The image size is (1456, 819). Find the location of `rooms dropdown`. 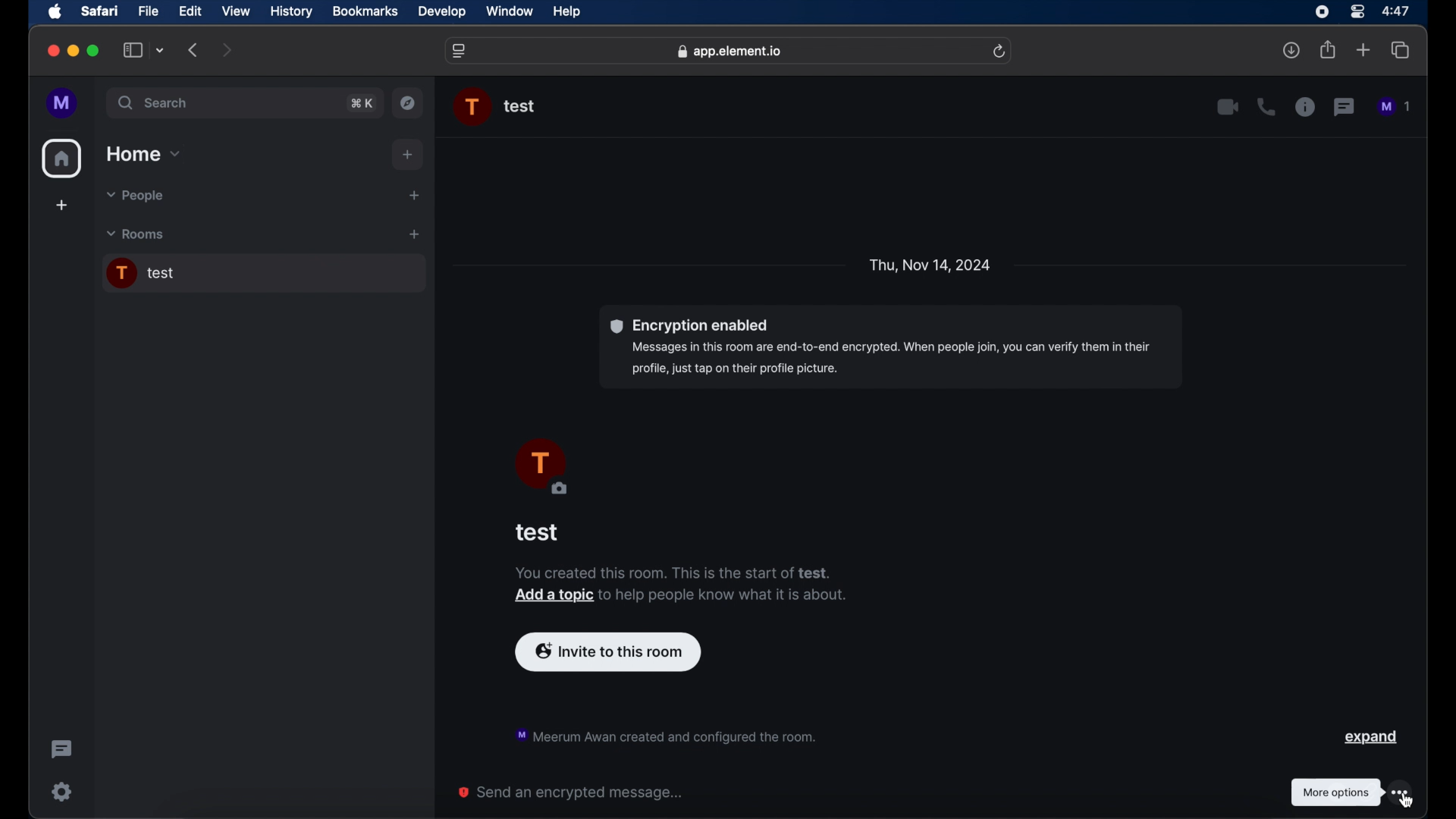

rooms dropdown is located at coordinates (136, 234).